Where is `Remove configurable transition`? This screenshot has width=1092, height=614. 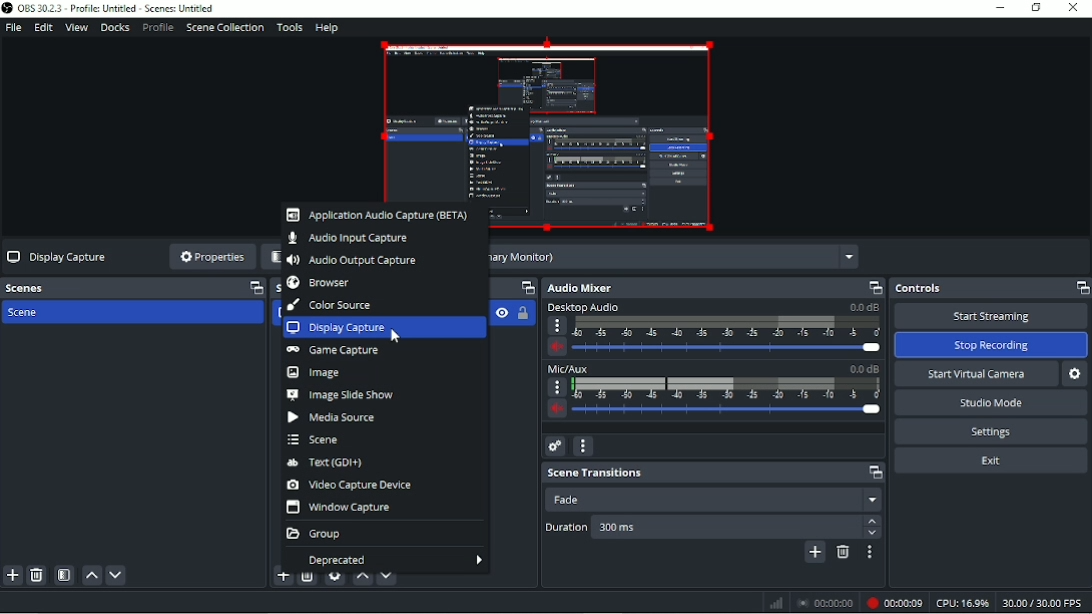
Remove configurable transition is located at coordinates (842, 552).